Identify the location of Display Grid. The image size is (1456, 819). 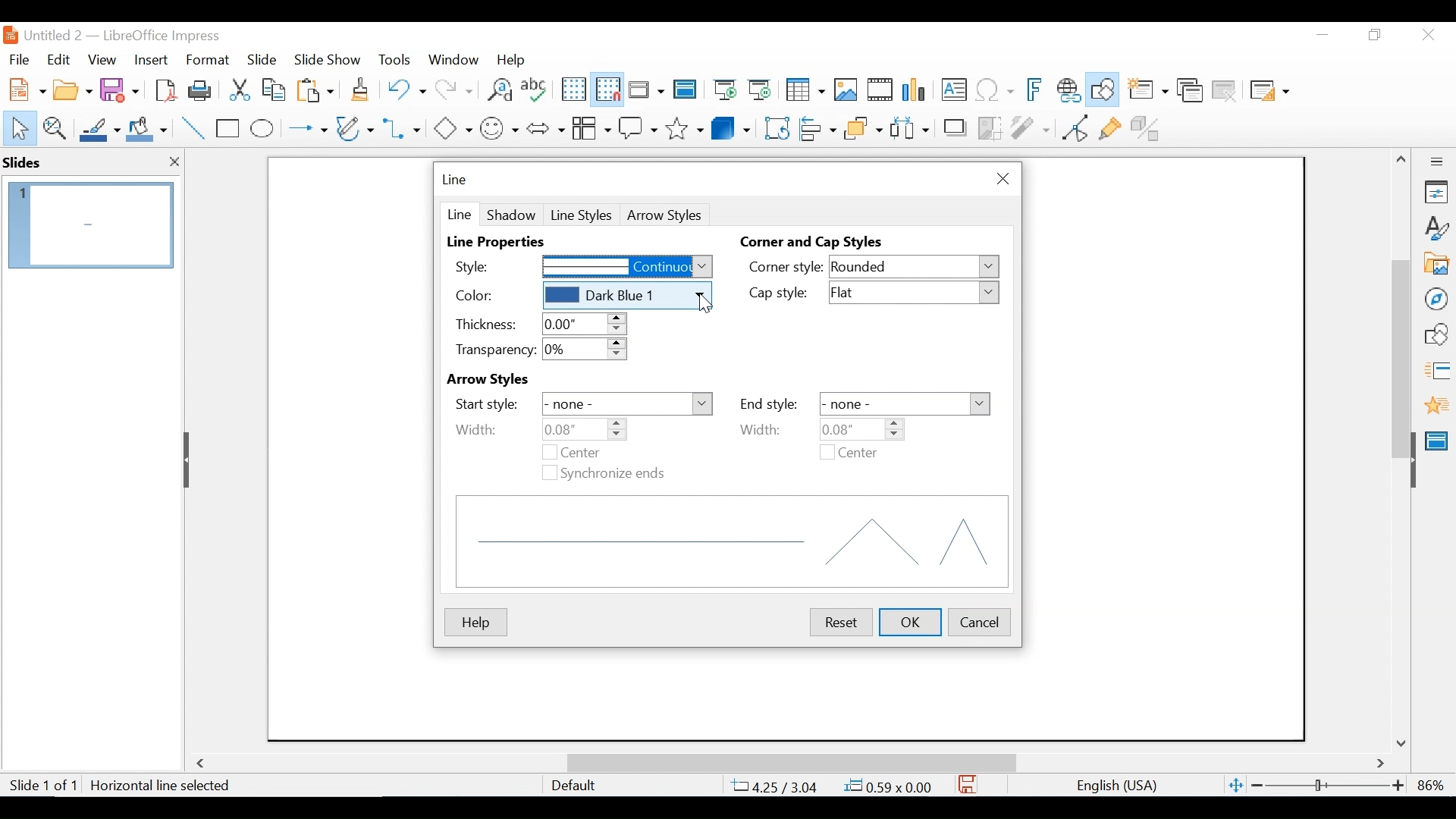
(573, 89).